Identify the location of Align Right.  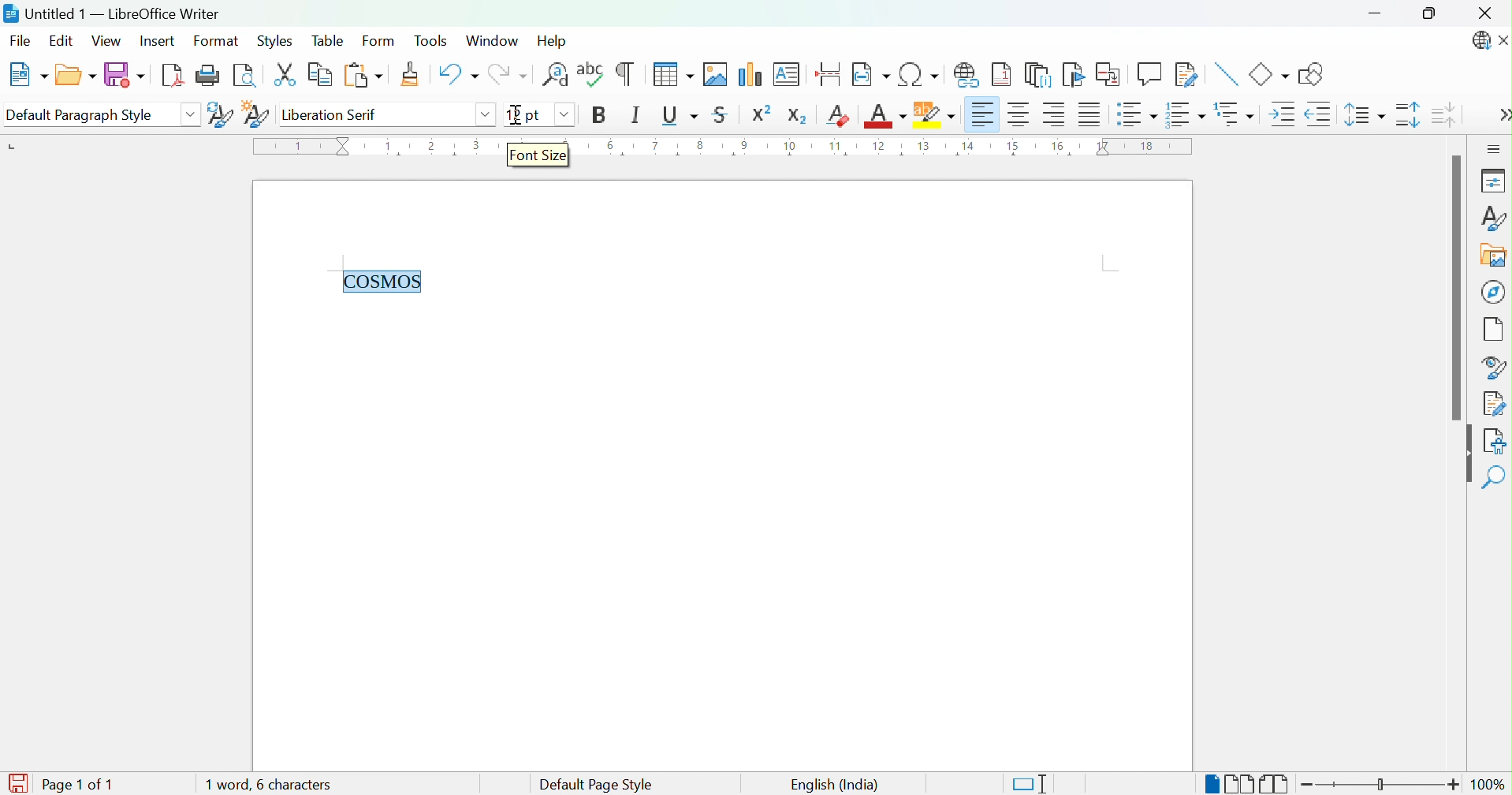
(1055, 115).